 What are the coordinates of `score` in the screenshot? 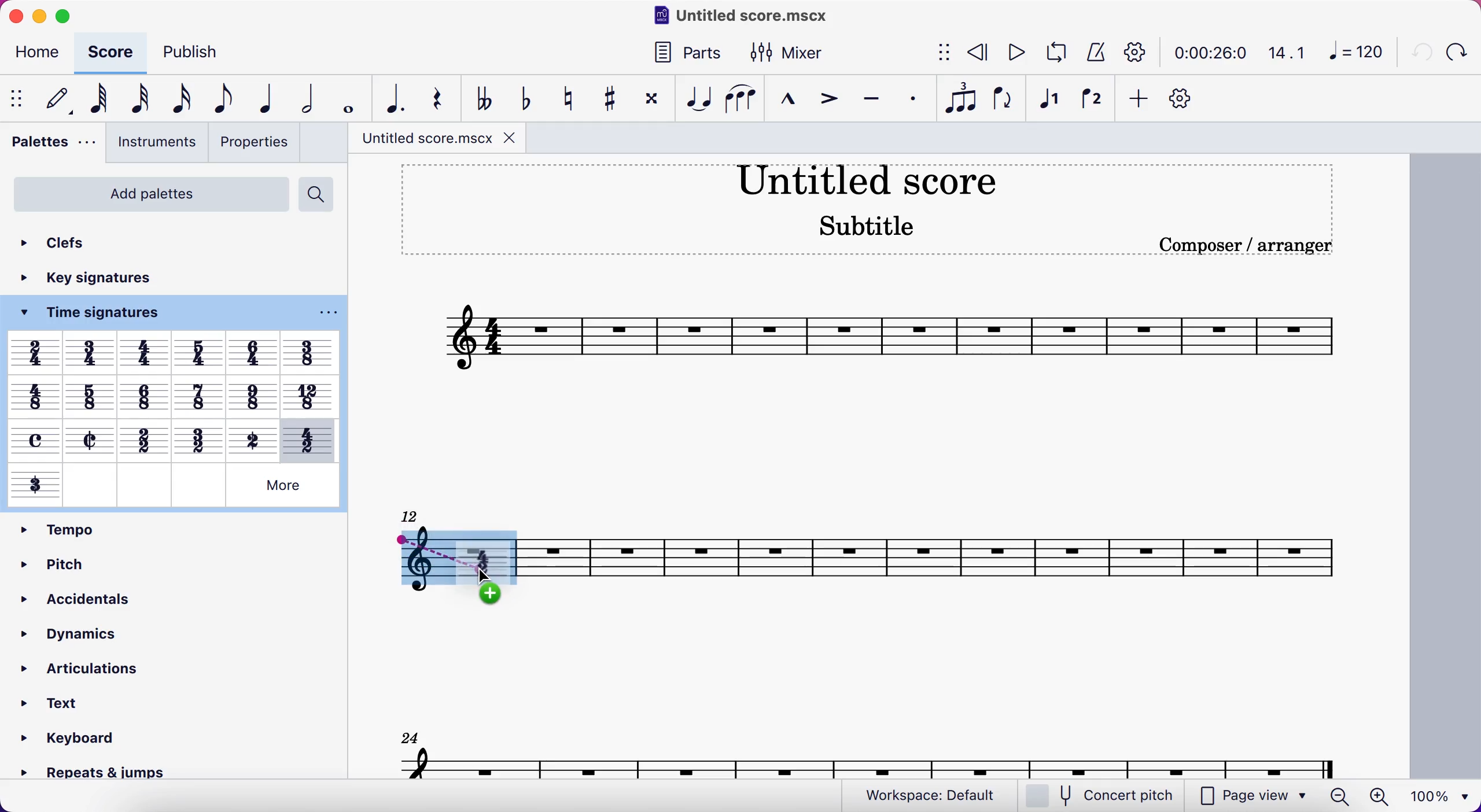 It's located at (878, 337).